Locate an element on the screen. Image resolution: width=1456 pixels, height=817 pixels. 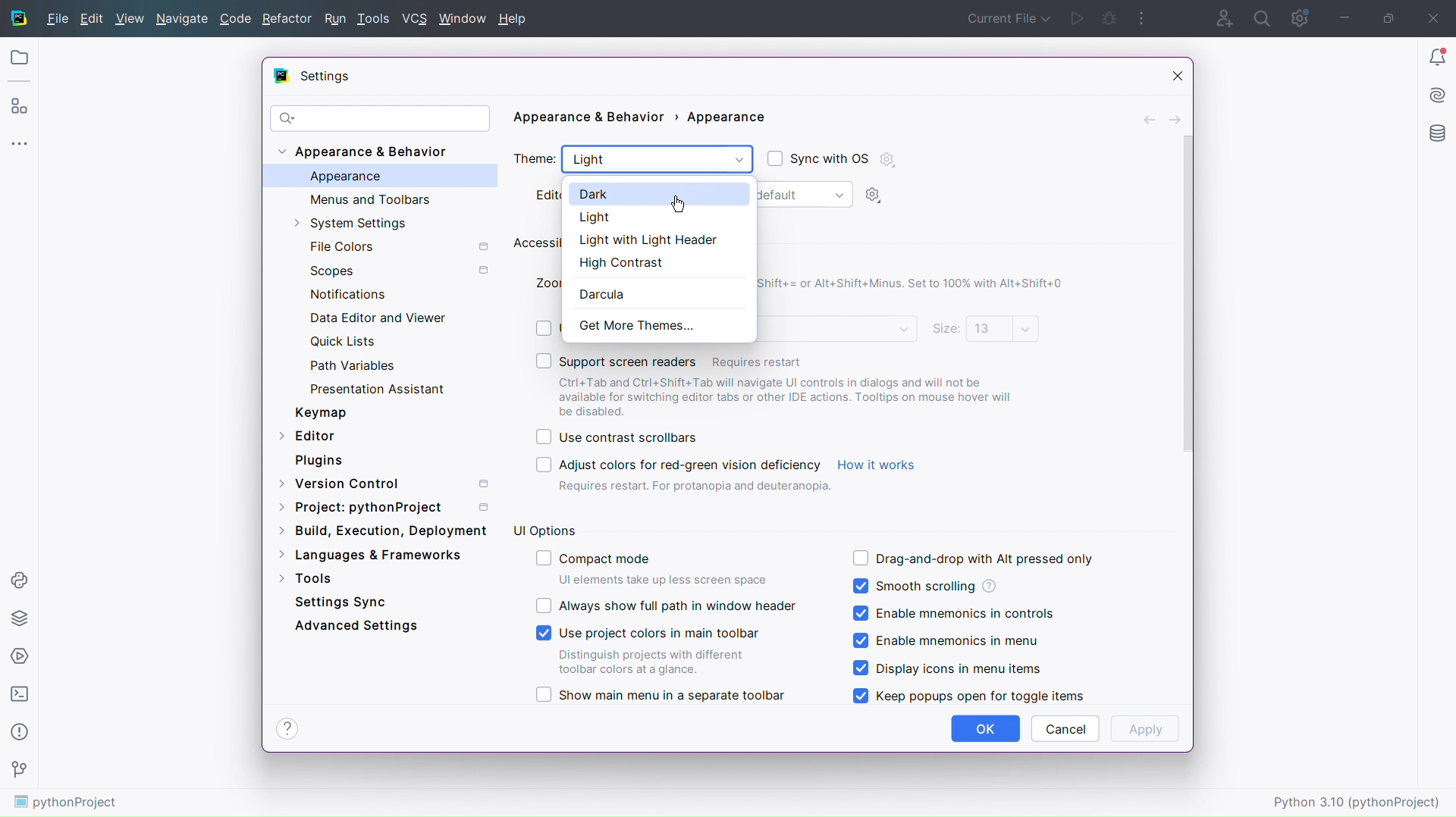
Data Editor and Viewer is located at coordinates (377, 318).